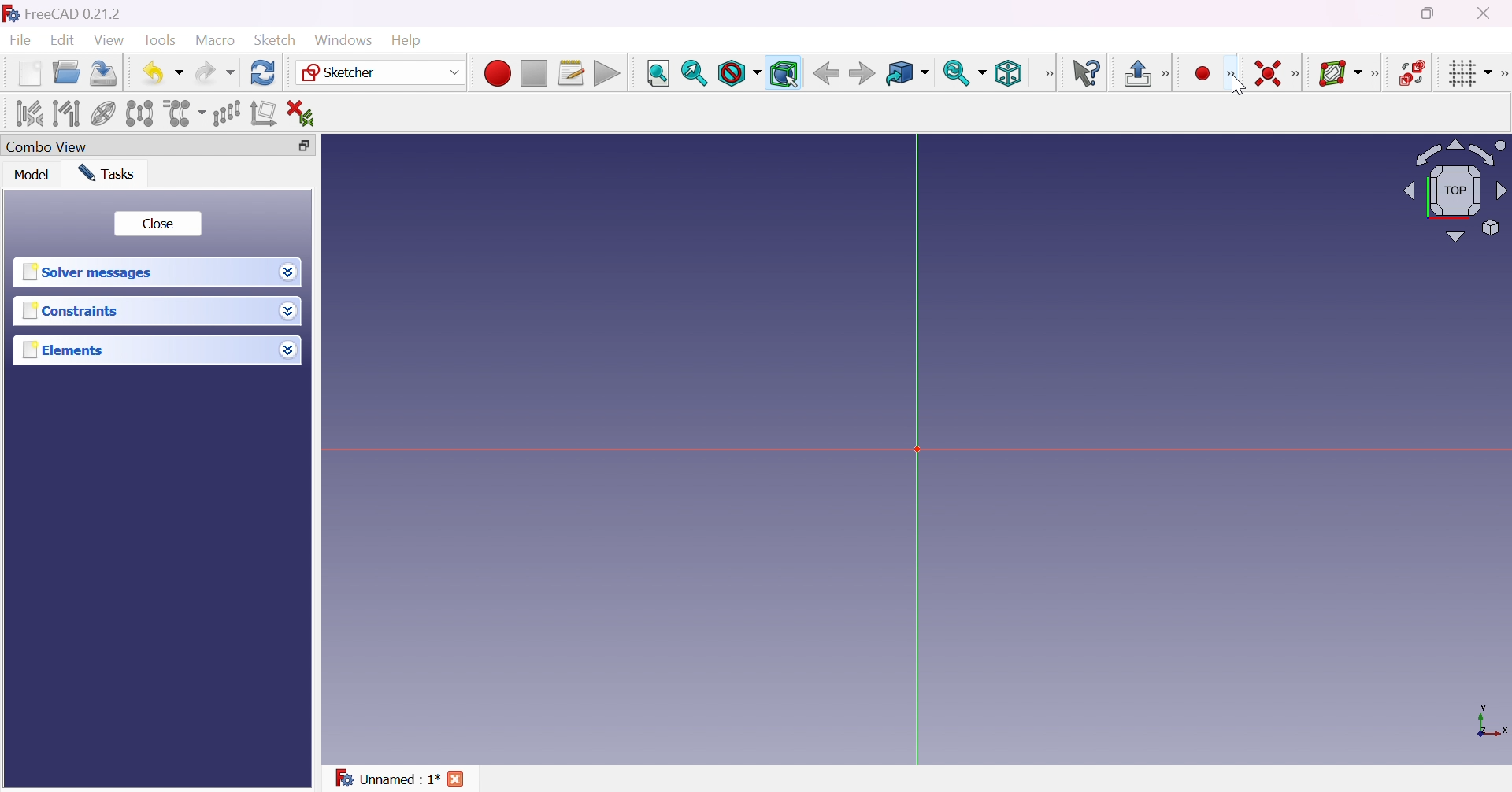 Image resolution: width=1512 pixels, height=792 pixels. Describe the element at coordinates (66, 113) in the screenshot. I see `Select associated geometry` at that location.